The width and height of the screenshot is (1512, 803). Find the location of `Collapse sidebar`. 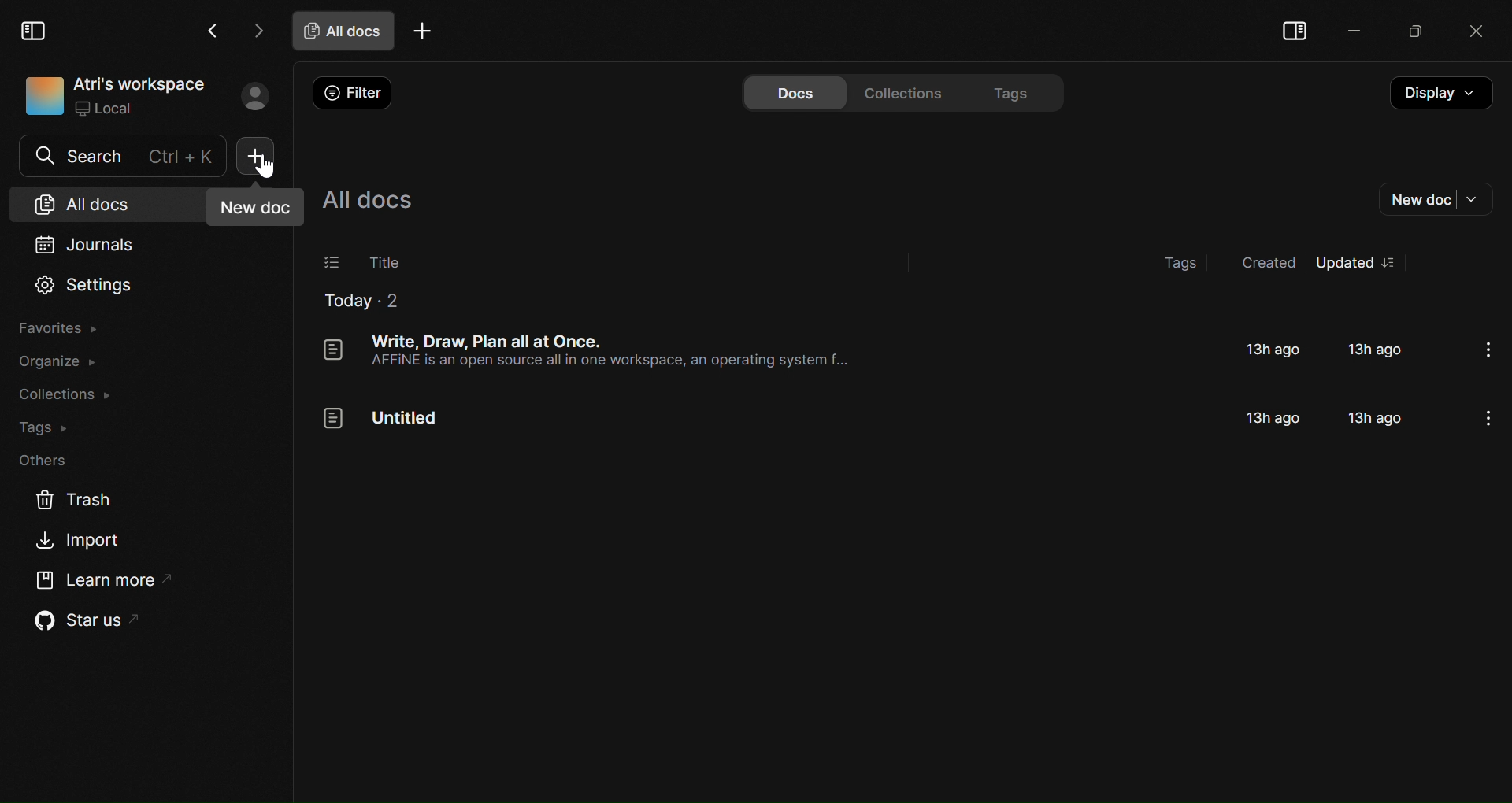

Collapse sidebar is located at coordinates (1295, 32).